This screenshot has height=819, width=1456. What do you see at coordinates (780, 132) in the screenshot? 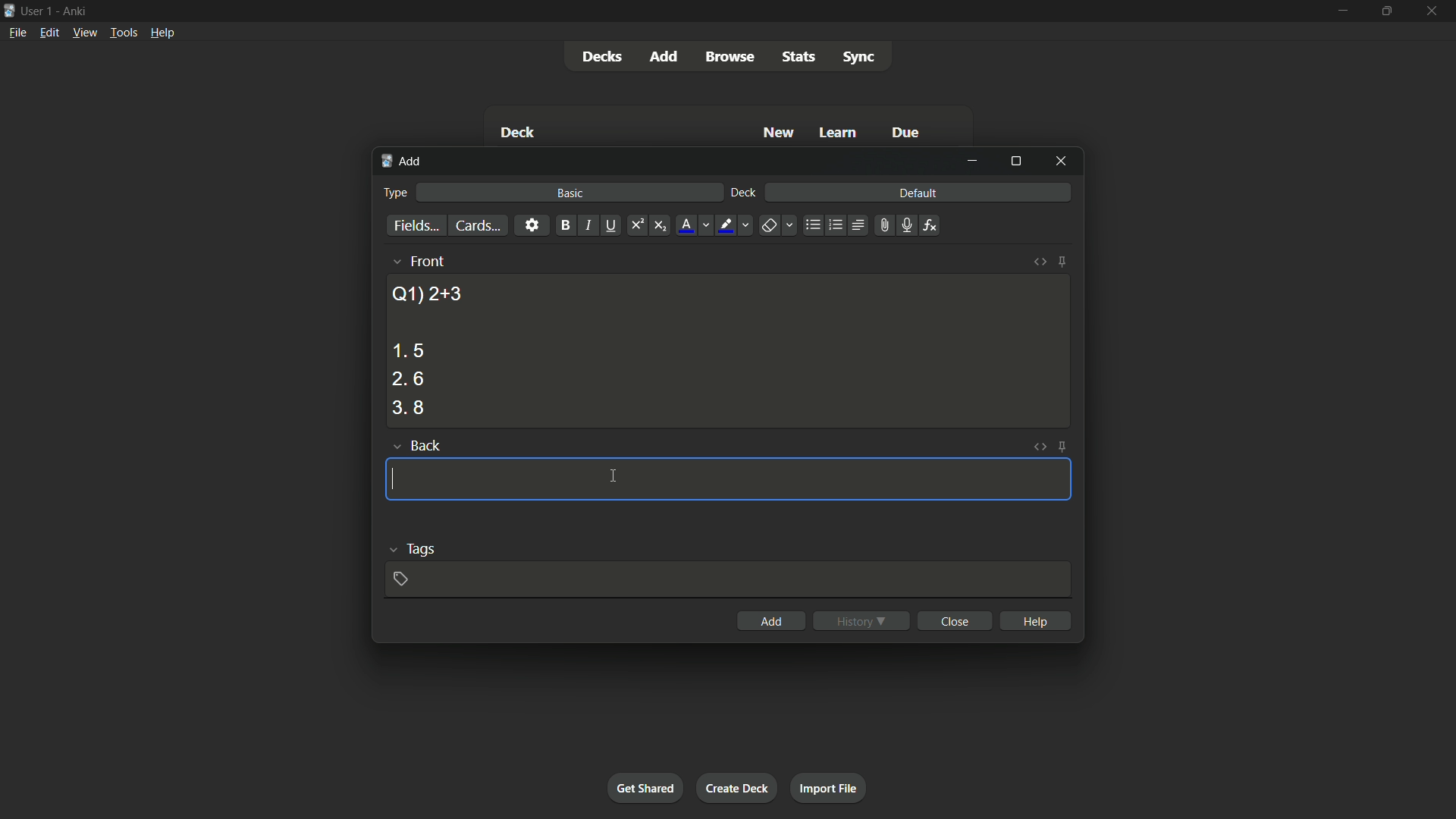
I see `new` at bounding box center [780, 132].